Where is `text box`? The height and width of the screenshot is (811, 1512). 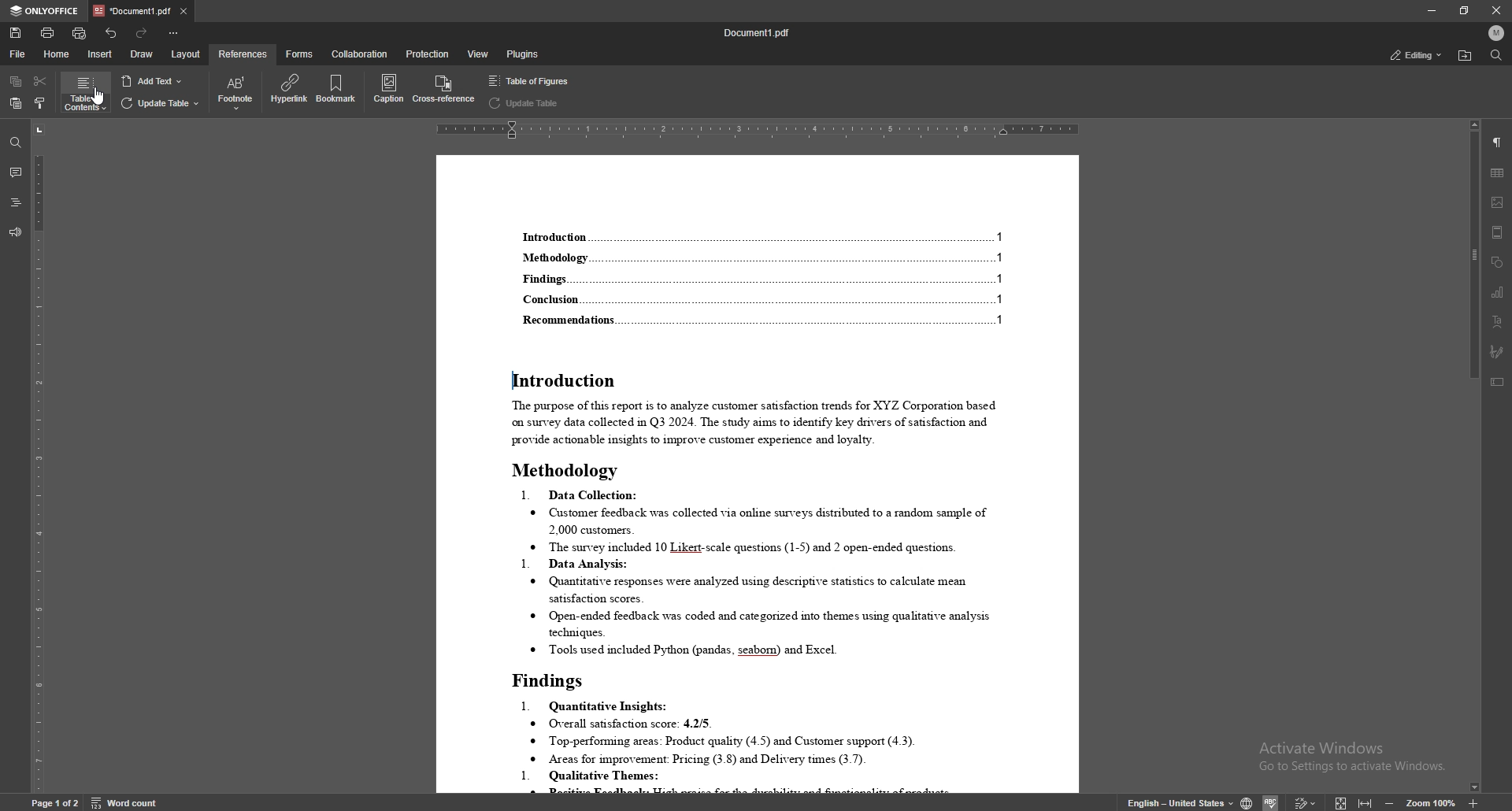
text box is located at coordinates (1496, 382).